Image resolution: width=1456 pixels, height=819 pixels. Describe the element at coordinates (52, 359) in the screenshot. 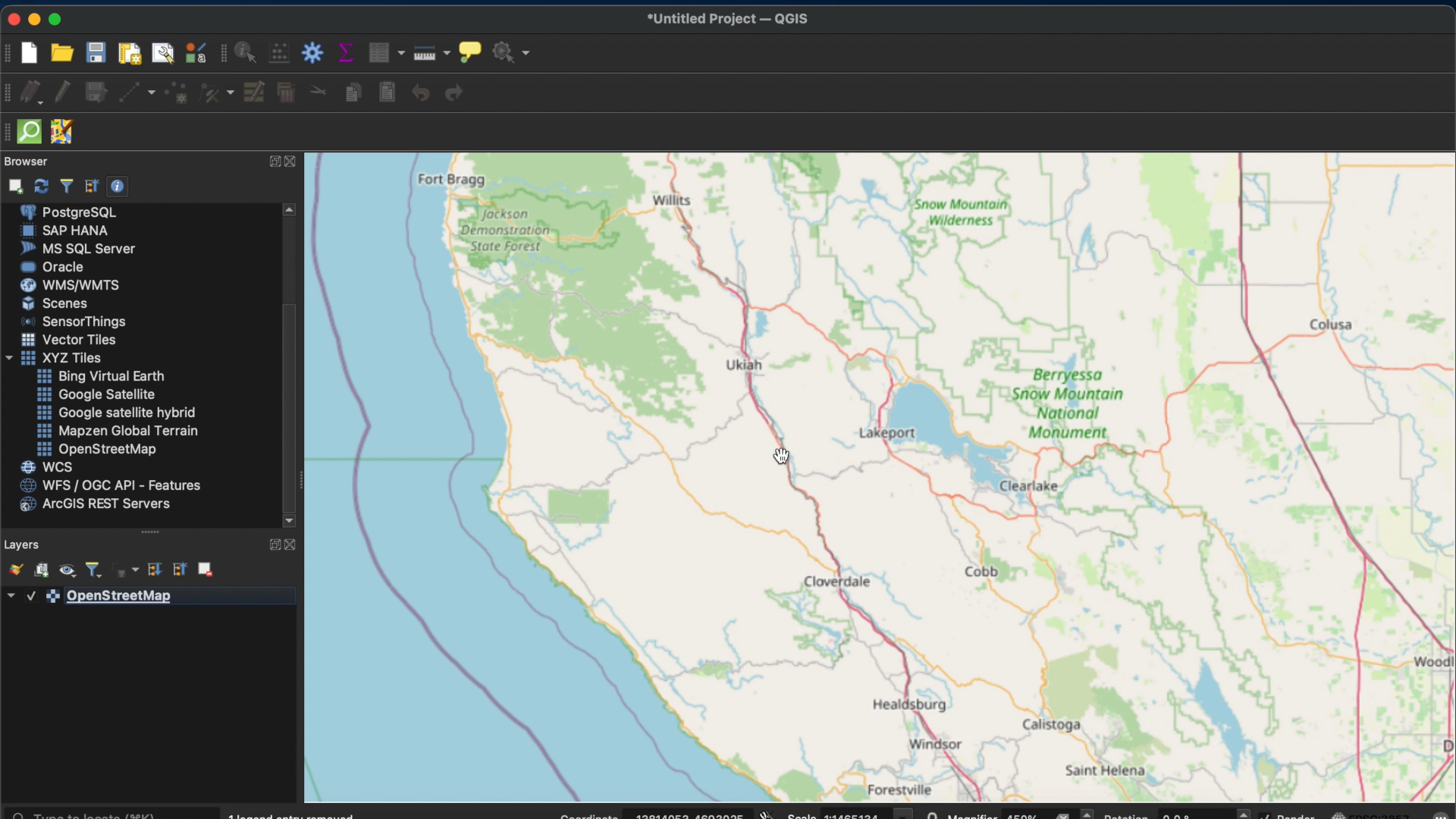

I see `xyz tiles` at that location.